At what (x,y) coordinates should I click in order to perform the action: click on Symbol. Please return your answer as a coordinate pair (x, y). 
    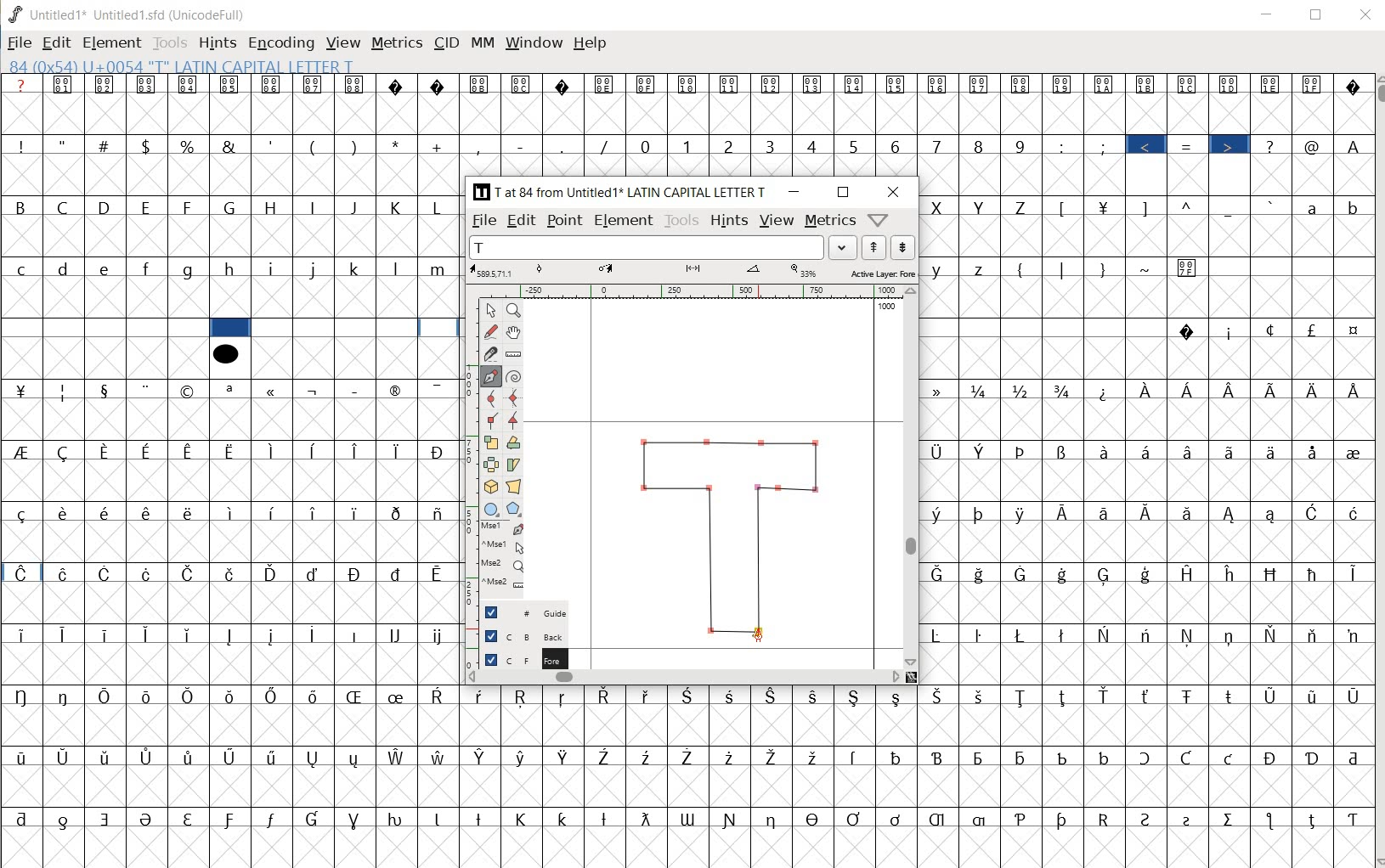
    Looking at the image, I should click on (1350, 758).